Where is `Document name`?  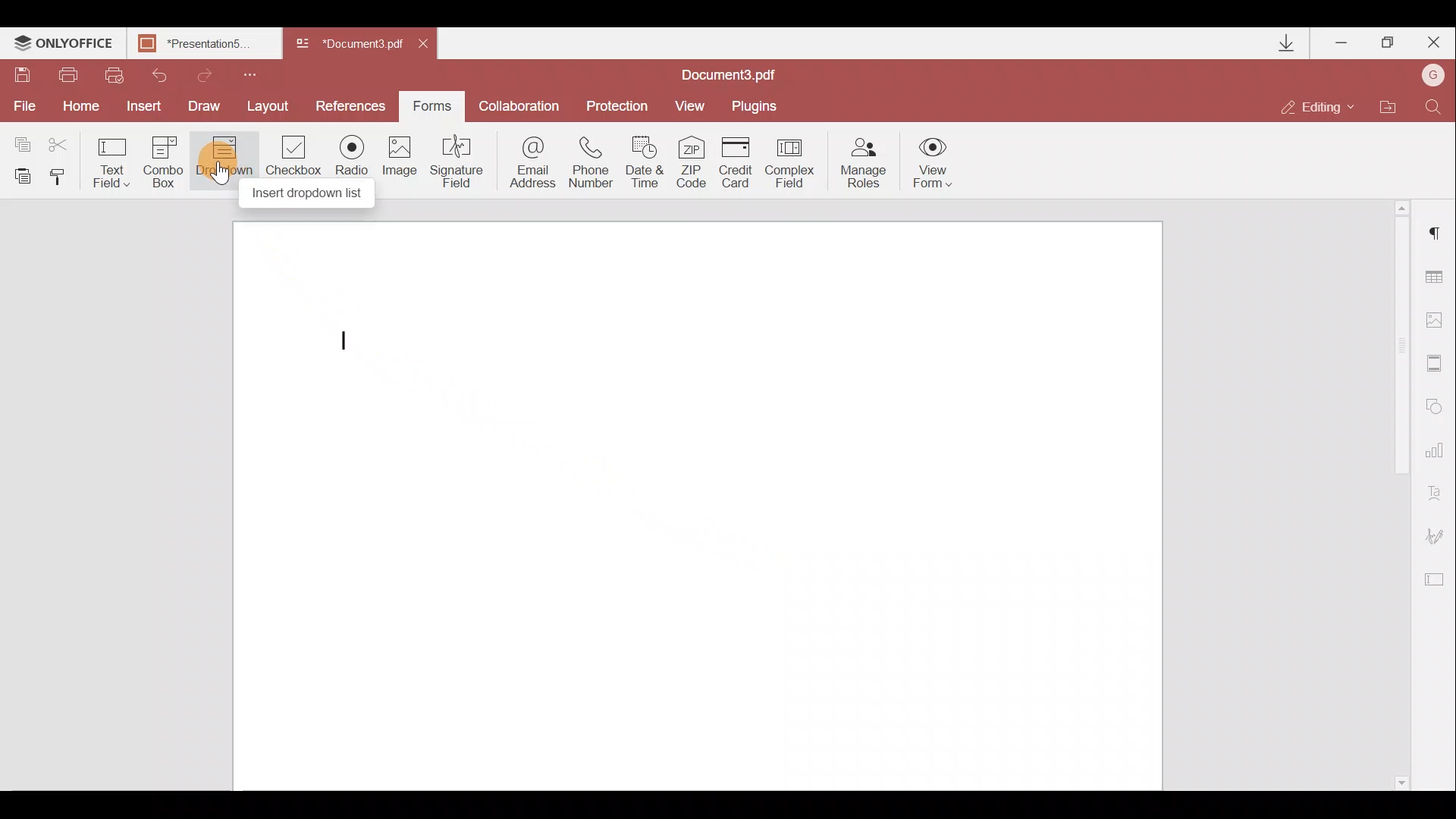 Document name is located at coordinates (209, 45).